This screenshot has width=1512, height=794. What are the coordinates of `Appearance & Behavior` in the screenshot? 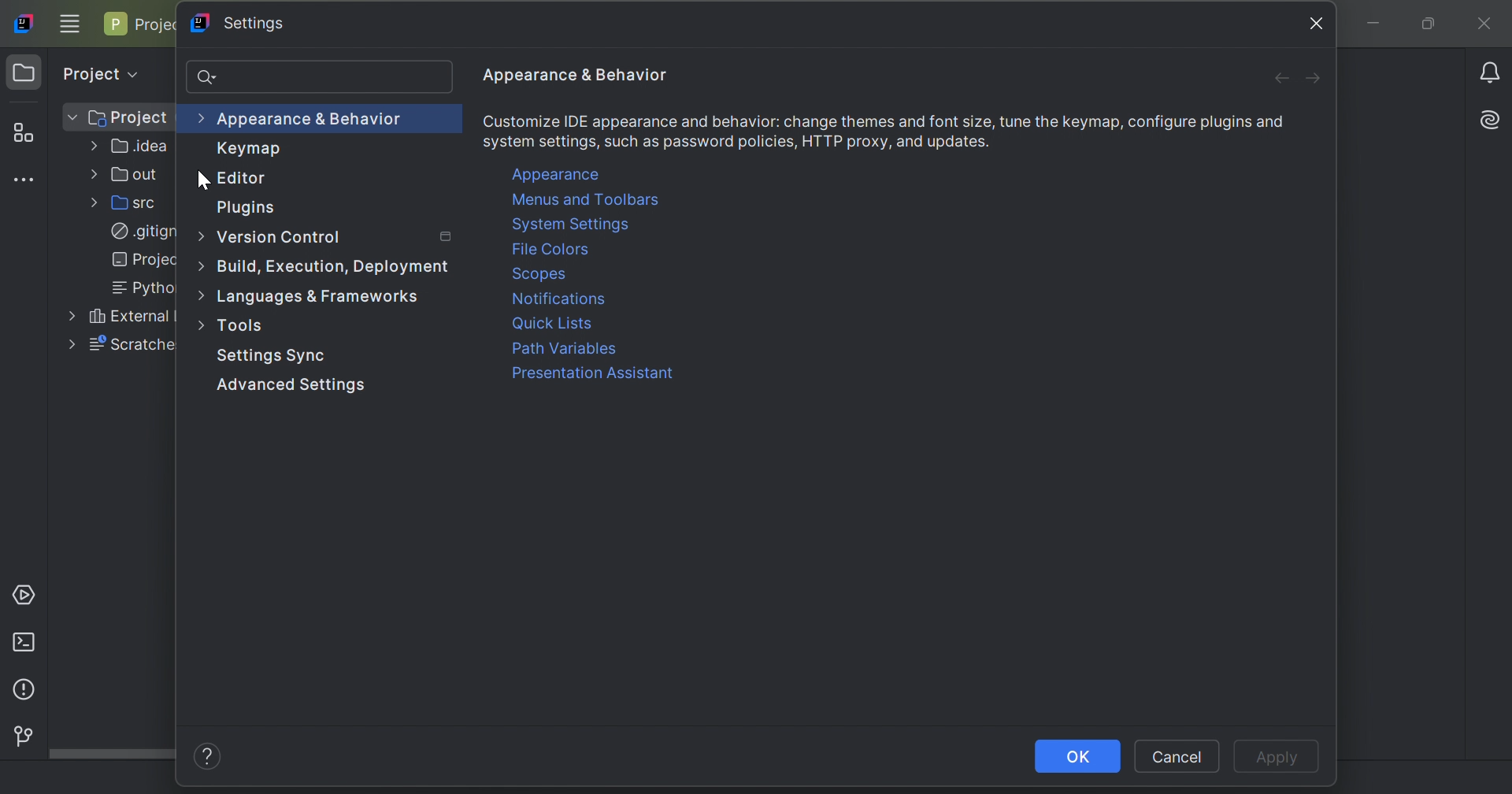 It's located at (576, 76).